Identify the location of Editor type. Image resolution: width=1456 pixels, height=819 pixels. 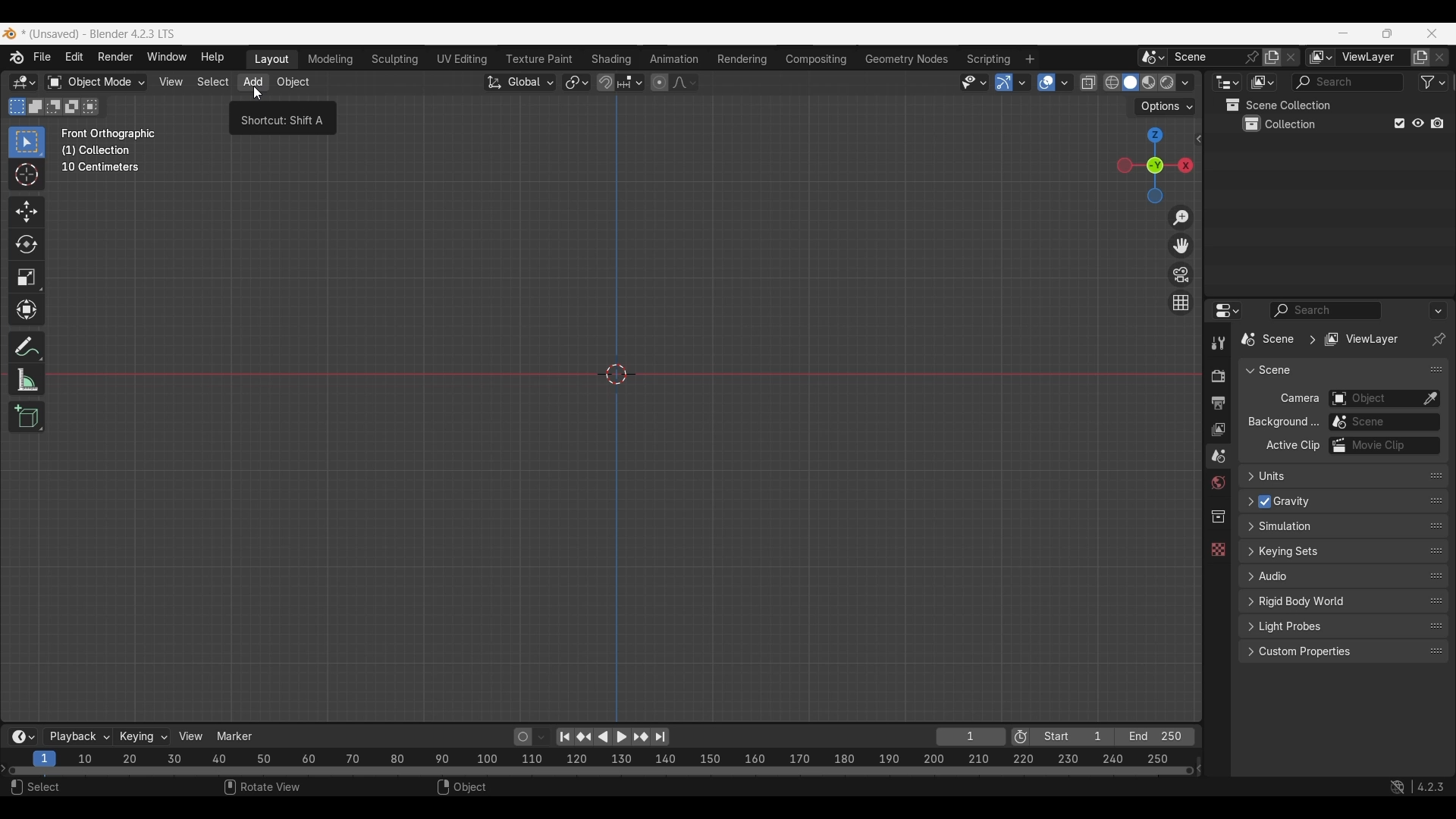
(1227, 310).